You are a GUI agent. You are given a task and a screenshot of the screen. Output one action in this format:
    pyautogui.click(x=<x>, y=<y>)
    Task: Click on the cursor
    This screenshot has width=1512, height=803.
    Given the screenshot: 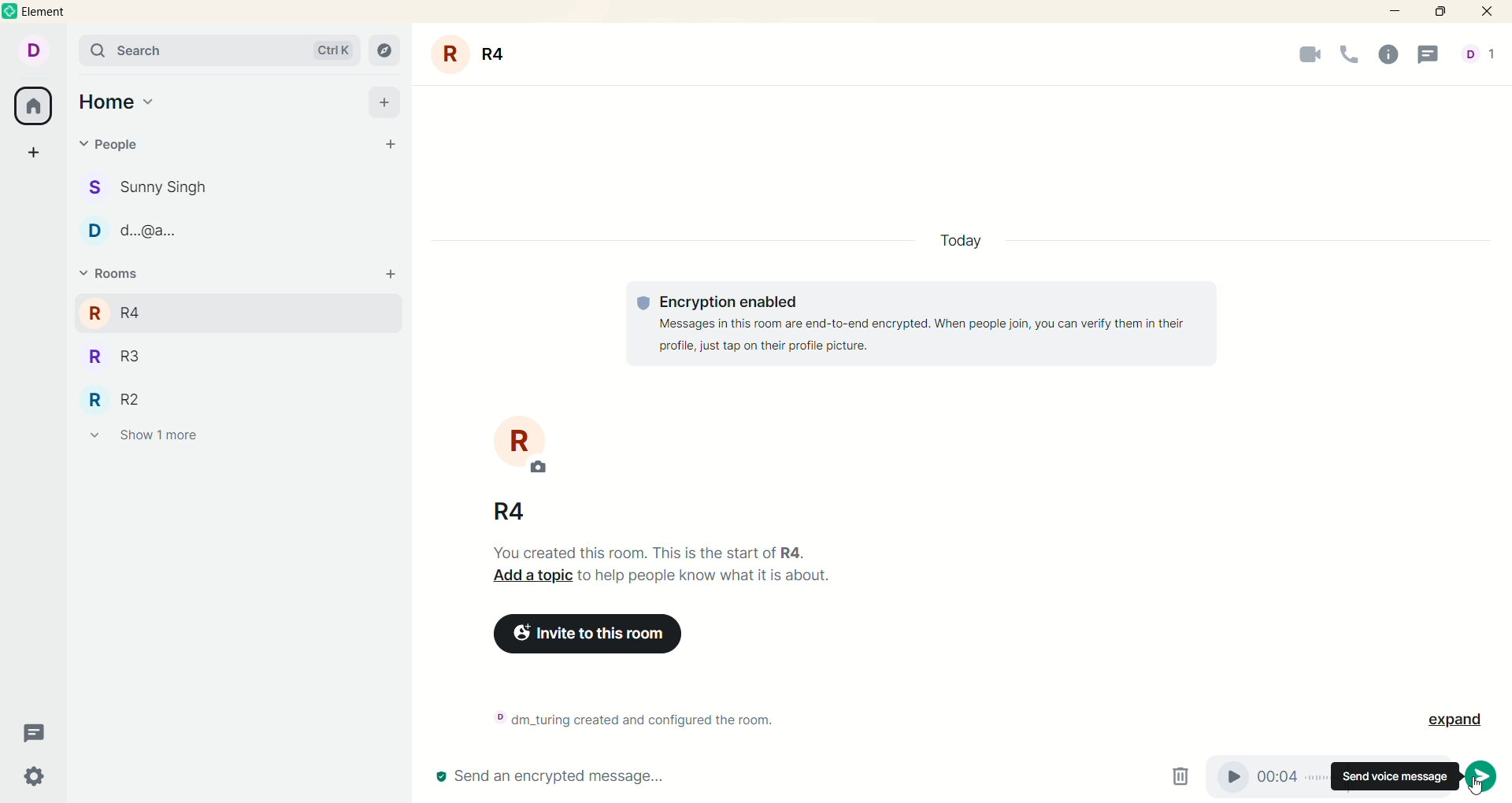 What is the action you would take?
    pyautogui.click(x=1477, y=786)
    